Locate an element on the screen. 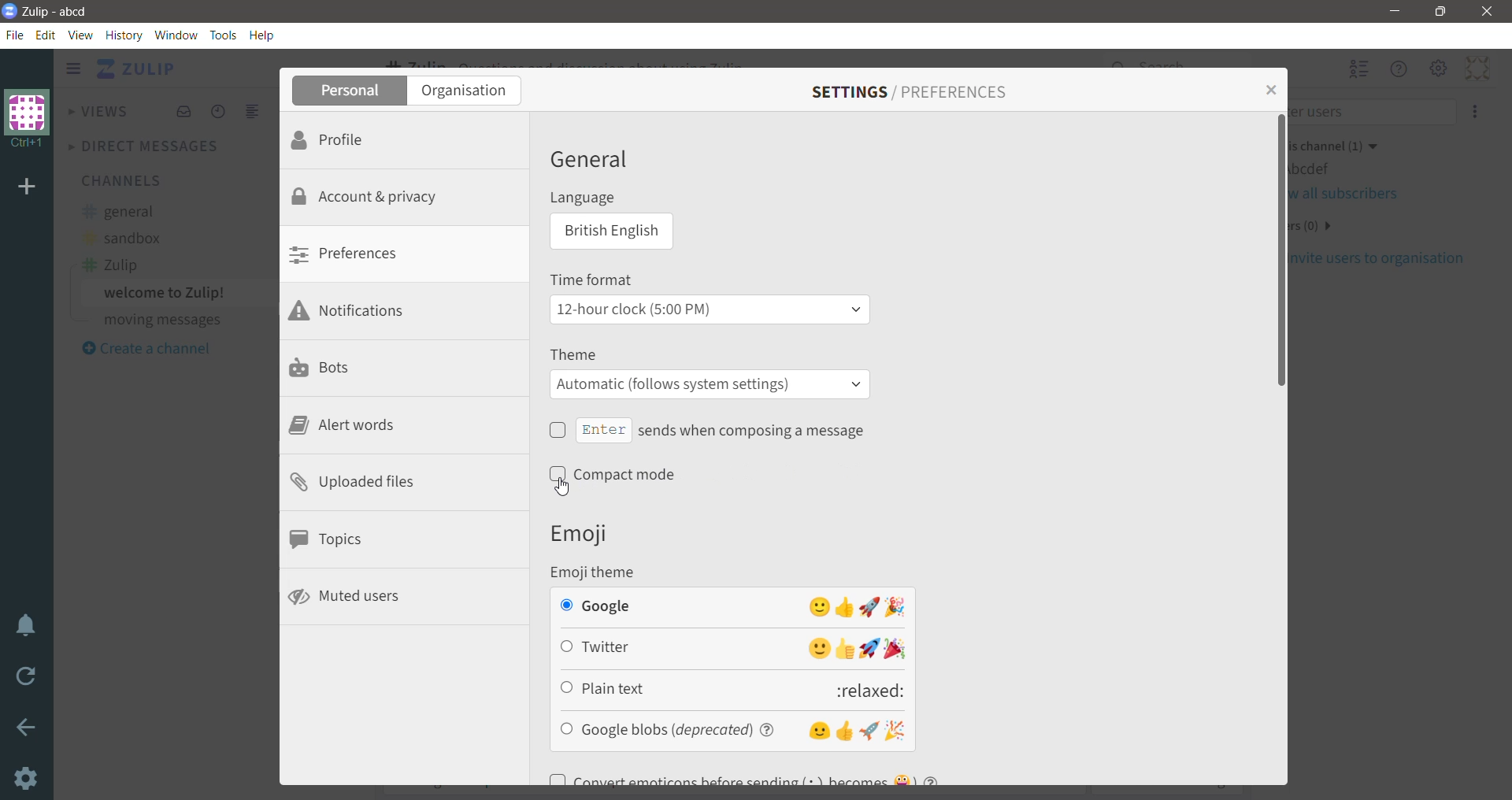 This screenshot has width=1512, height=800. Help is located at coordinates (263, 36).